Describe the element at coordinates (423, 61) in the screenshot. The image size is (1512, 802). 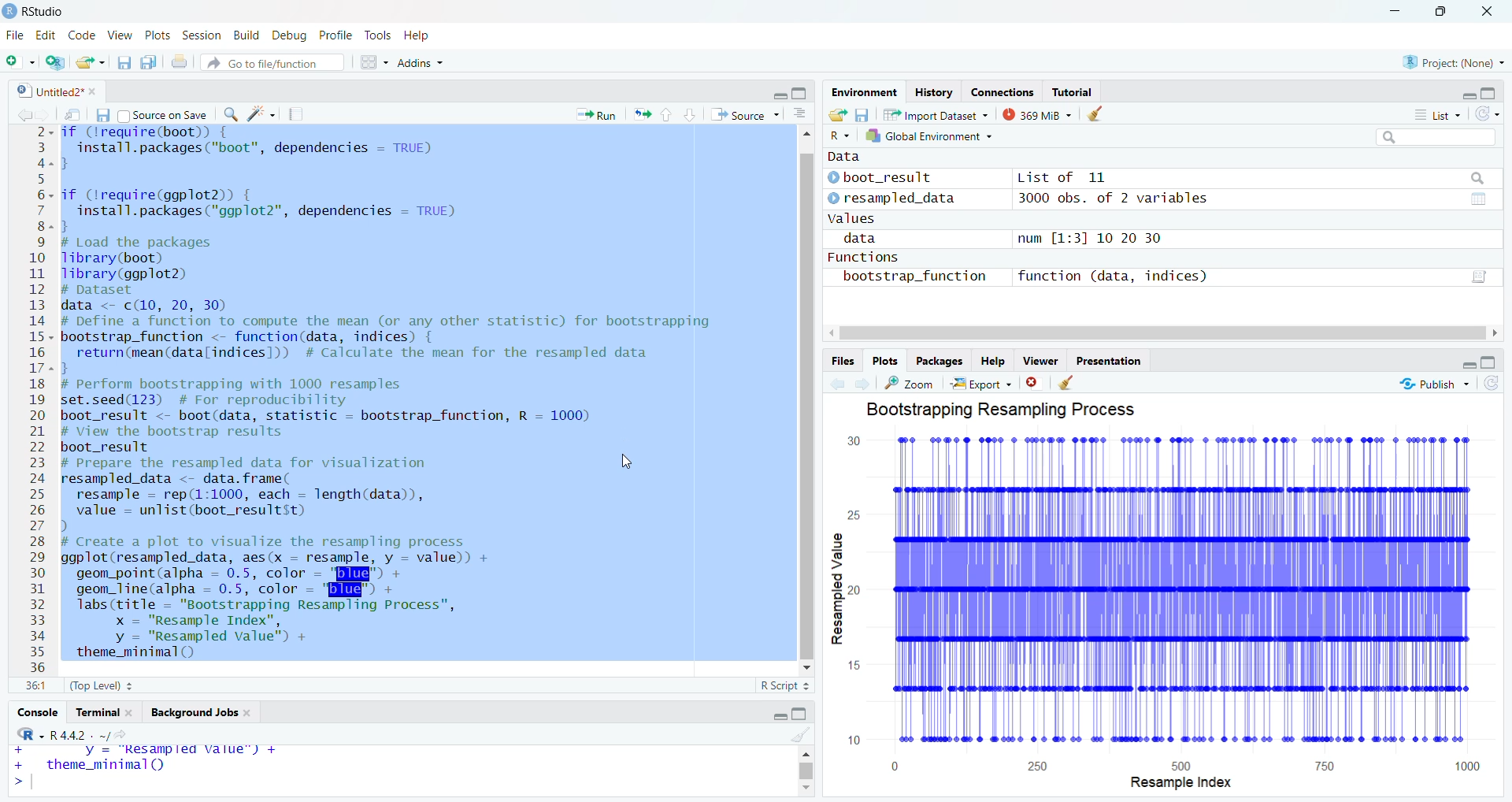
I see ` Addins ` at that location.